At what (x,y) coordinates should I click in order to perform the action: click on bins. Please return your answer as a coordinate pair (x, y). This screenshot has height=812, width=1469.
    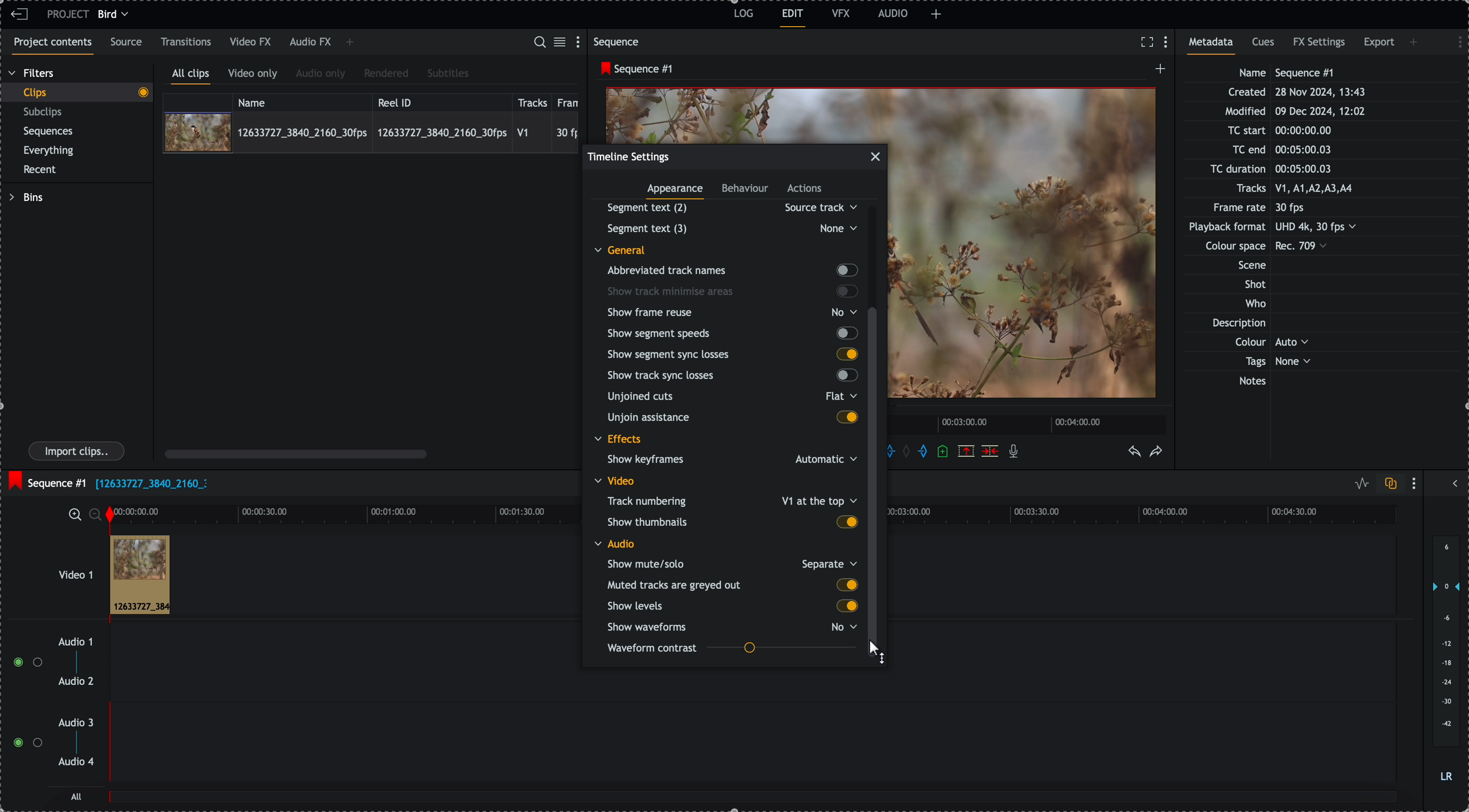
    Looking at the image, I should click on (26, 197).